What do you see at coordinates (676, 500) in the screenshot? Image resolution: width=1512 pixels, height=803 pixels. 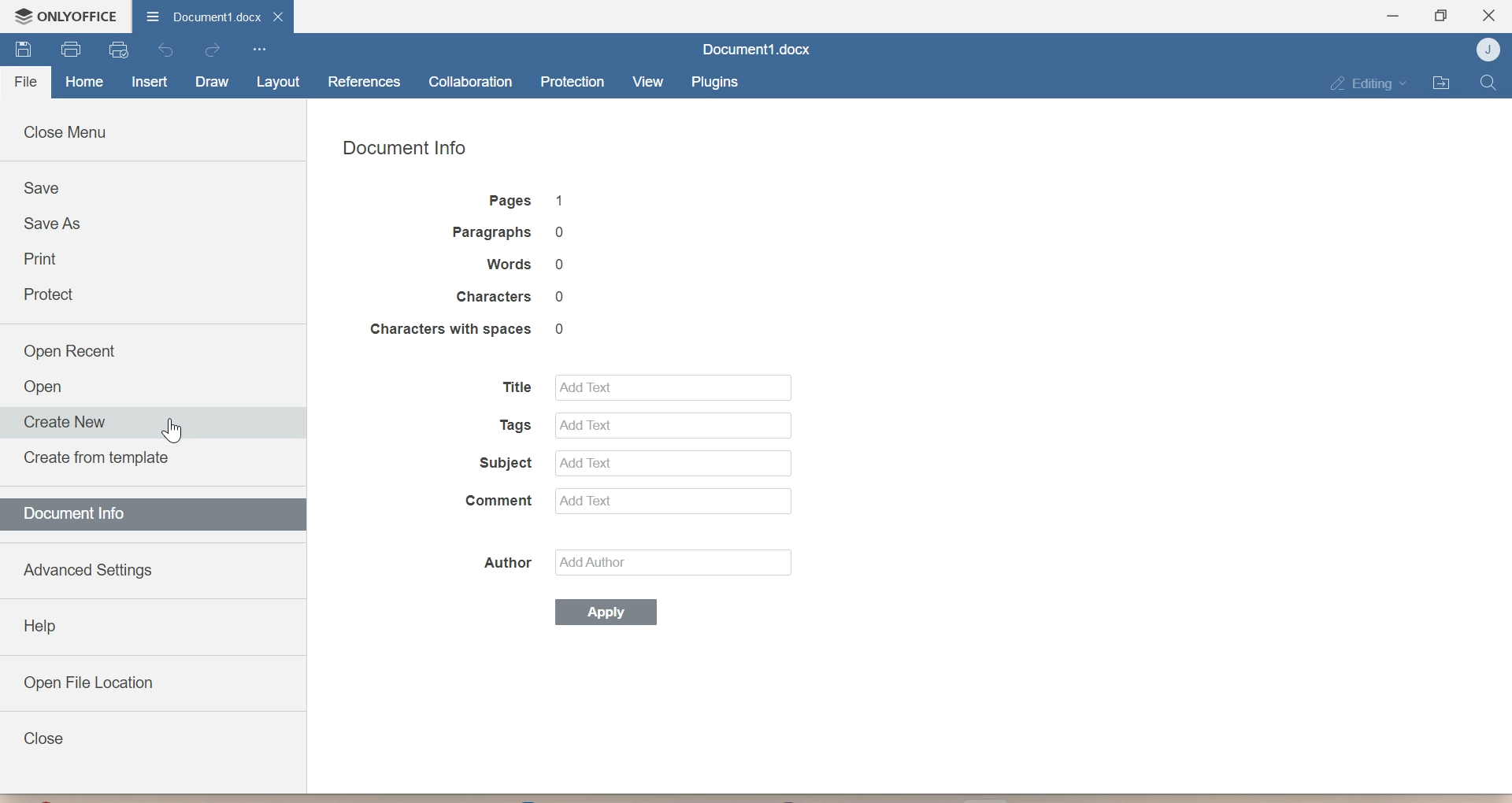 I see `Add text` at bounding box center [676, 500].